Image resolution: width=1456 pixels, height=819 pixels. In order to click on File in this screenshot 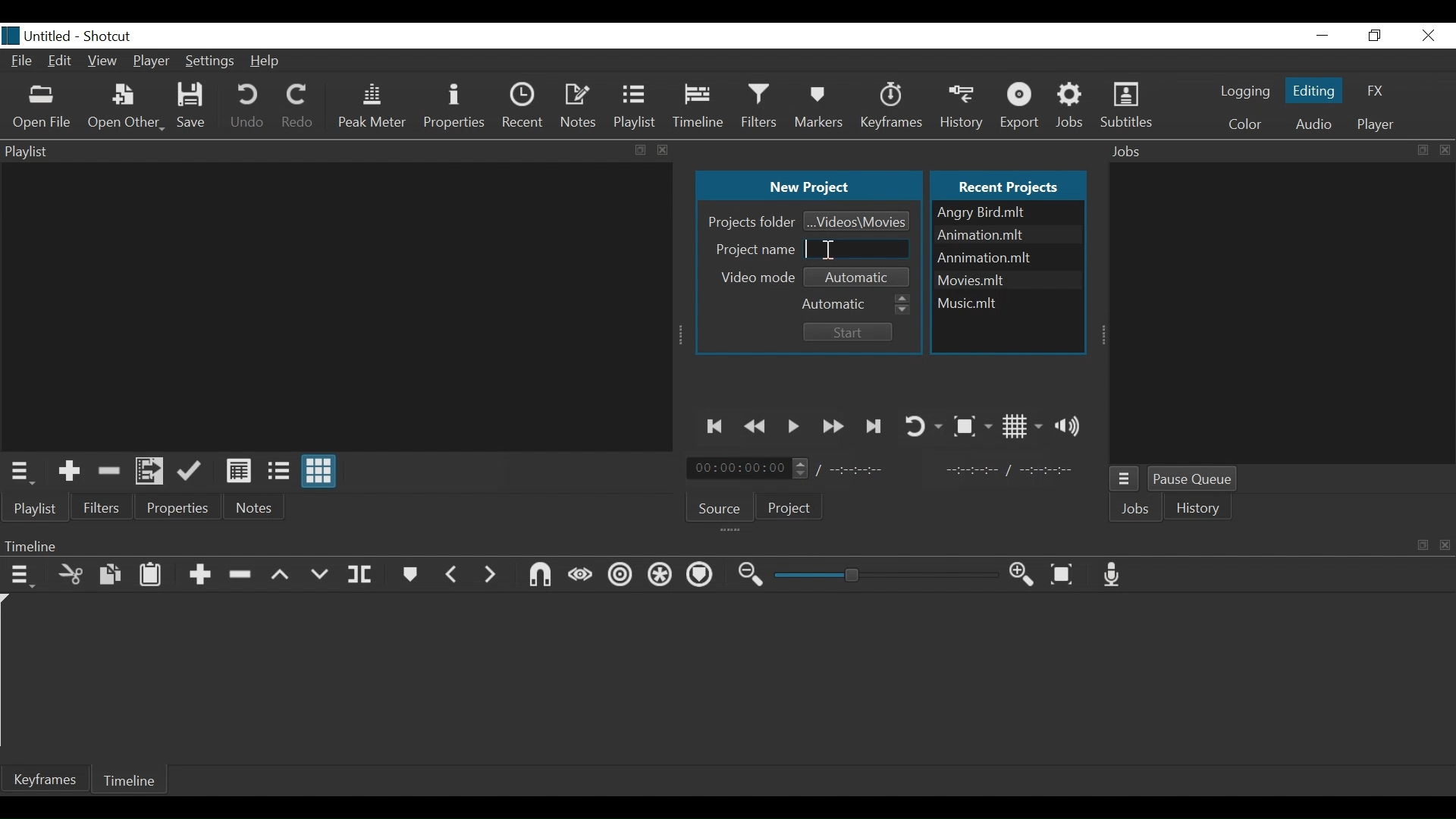, I will do `click(22, 62)`.